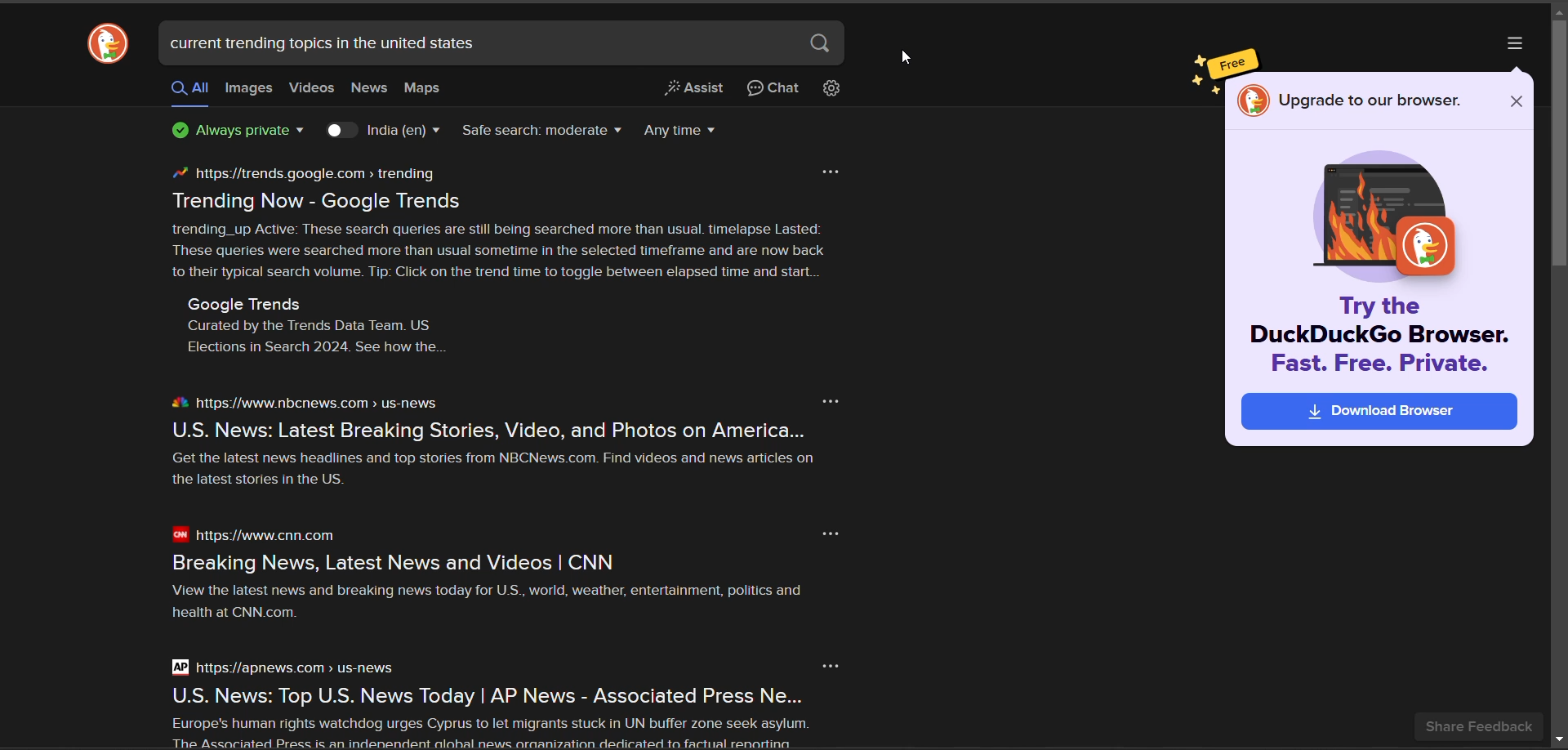 This screenshot has width=1568, height=750. What do you see at coordinates (395, 562) in the screenshot?
I see `Breaking News, Latest News and Videos | CNN` at bounding box center [395, 562].